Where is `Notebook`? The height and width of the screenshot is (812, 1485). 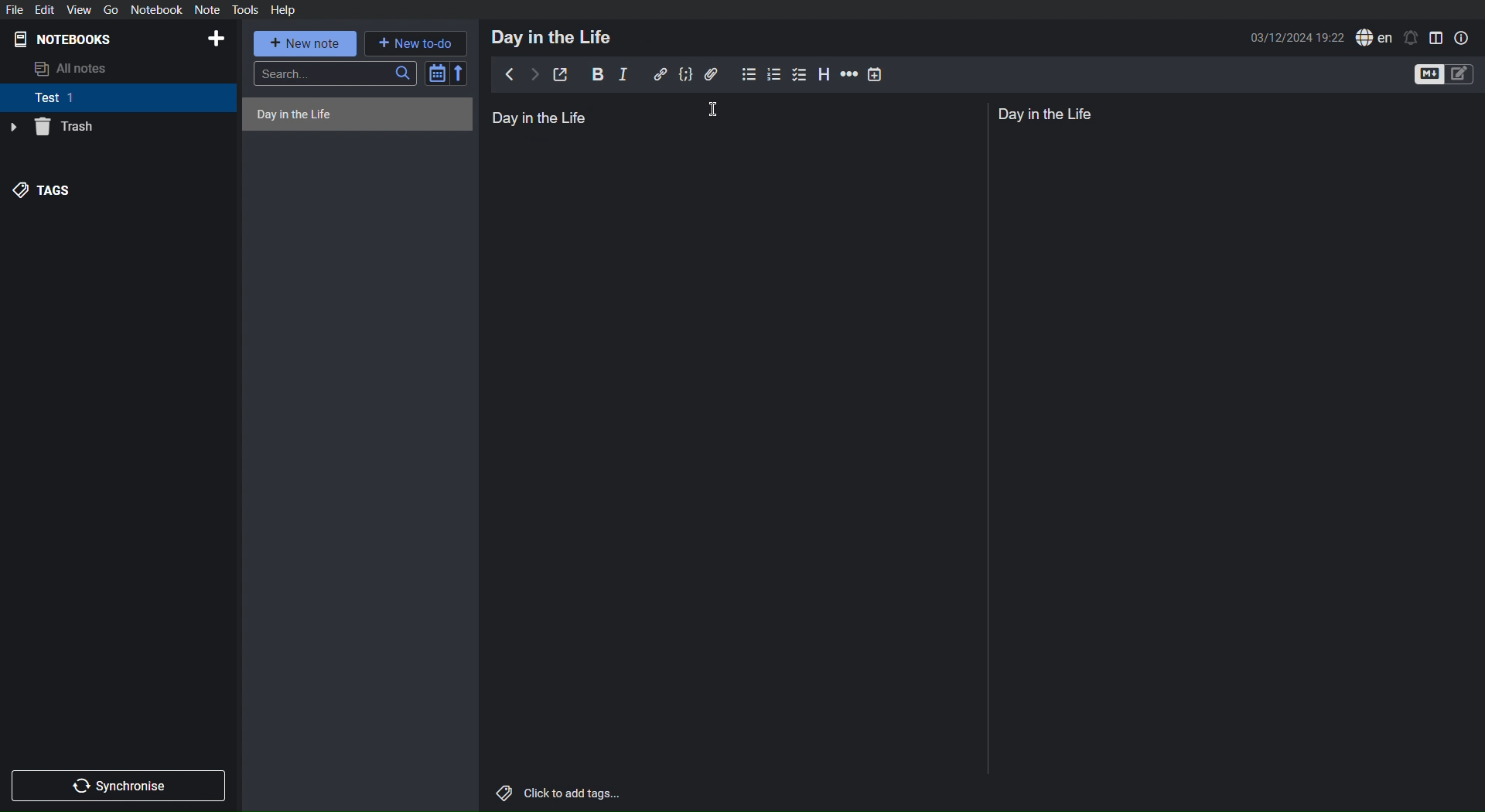 Notebook is located at coordinates (156, 10).